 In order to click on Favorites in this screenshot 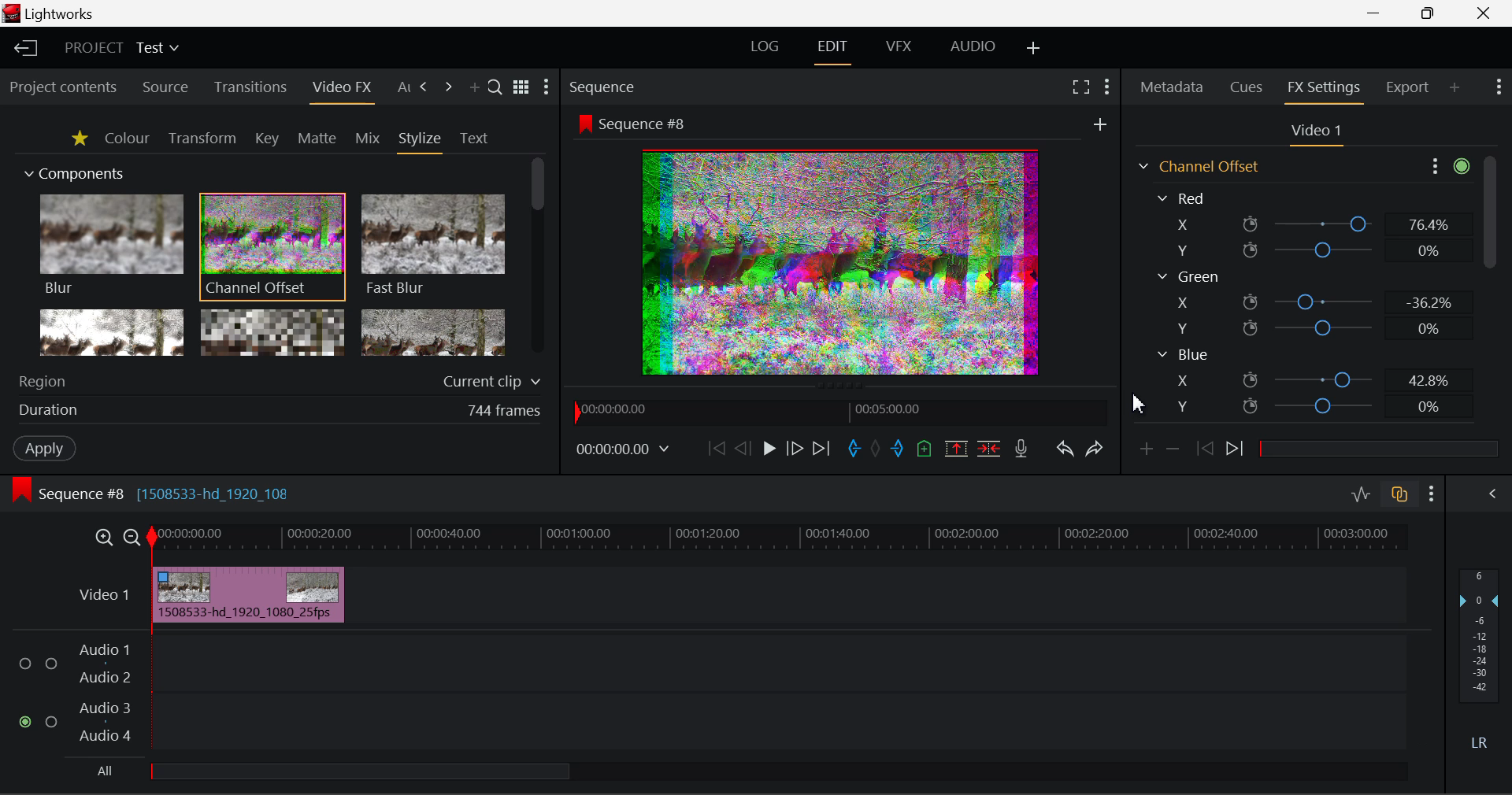, I will do `click(79, 140)`.